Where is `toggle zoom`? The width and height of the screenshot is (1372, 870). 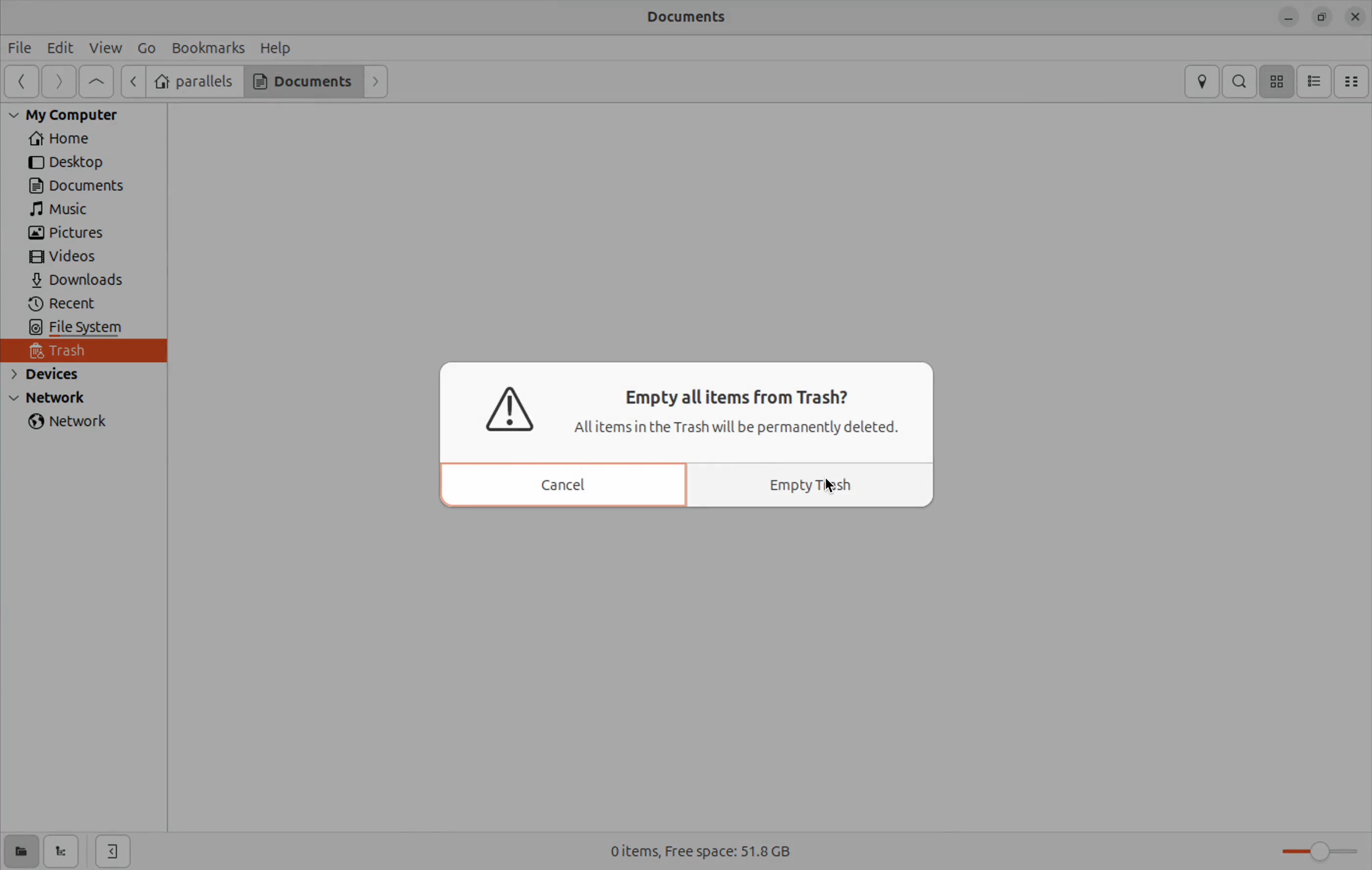
toggle zoom is located at coordinates (1318, 849).